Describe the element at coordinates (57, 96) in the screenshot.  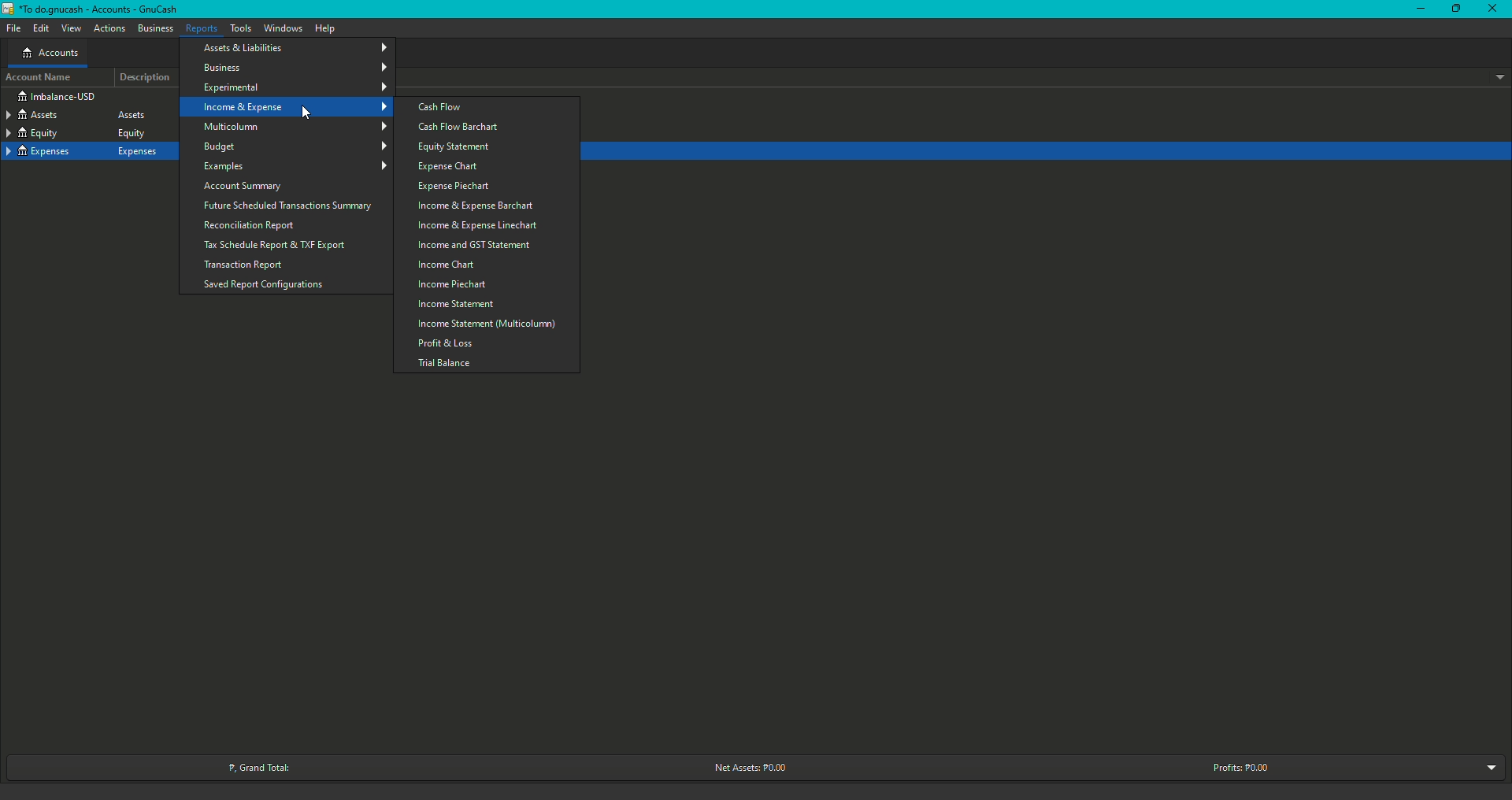
I see `Imbalance` at that location.